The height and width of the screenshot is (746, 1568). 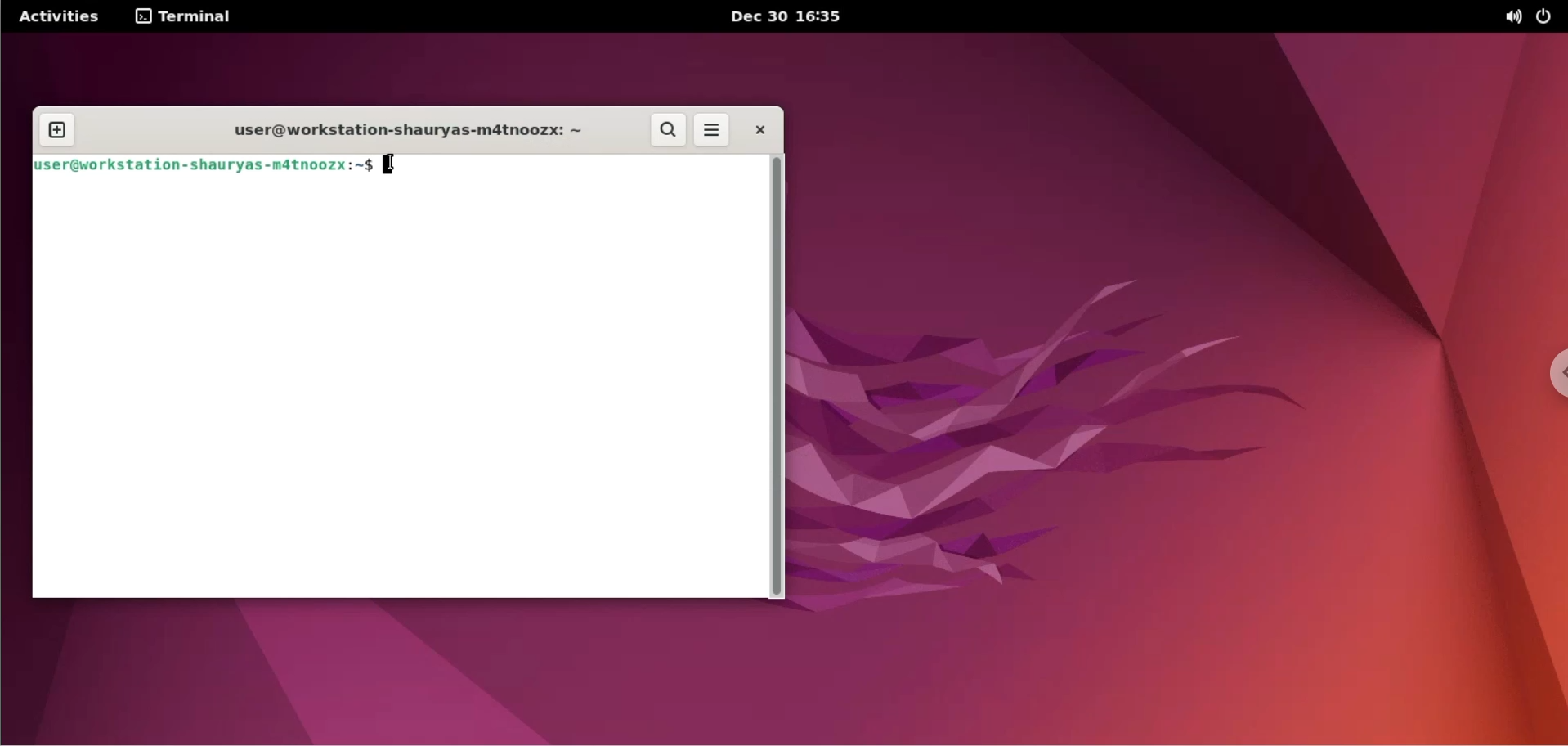 I want to click on sound options, so click(x=1514, y=17).